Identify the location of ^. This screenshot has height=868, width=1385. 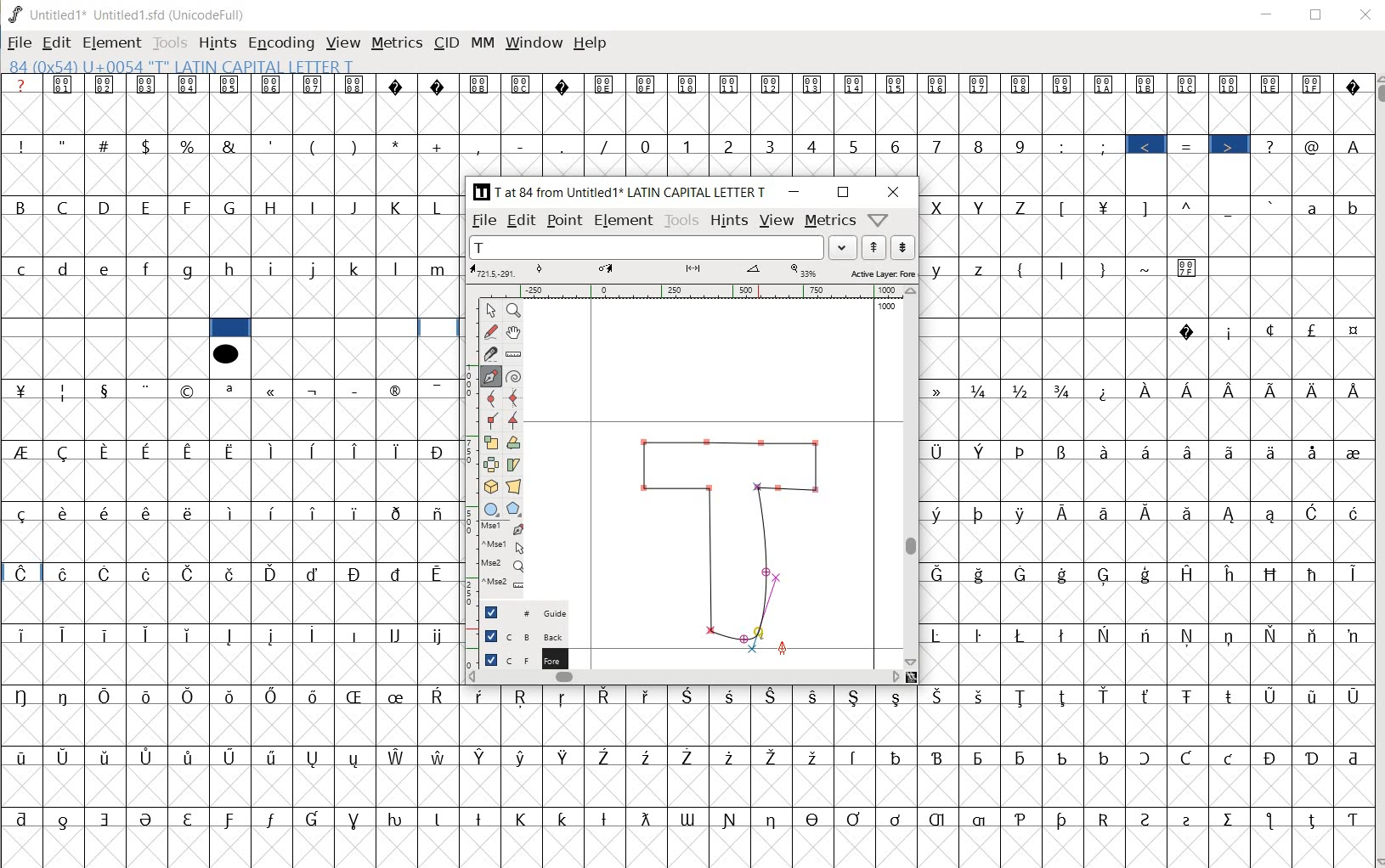
(1190, 206).